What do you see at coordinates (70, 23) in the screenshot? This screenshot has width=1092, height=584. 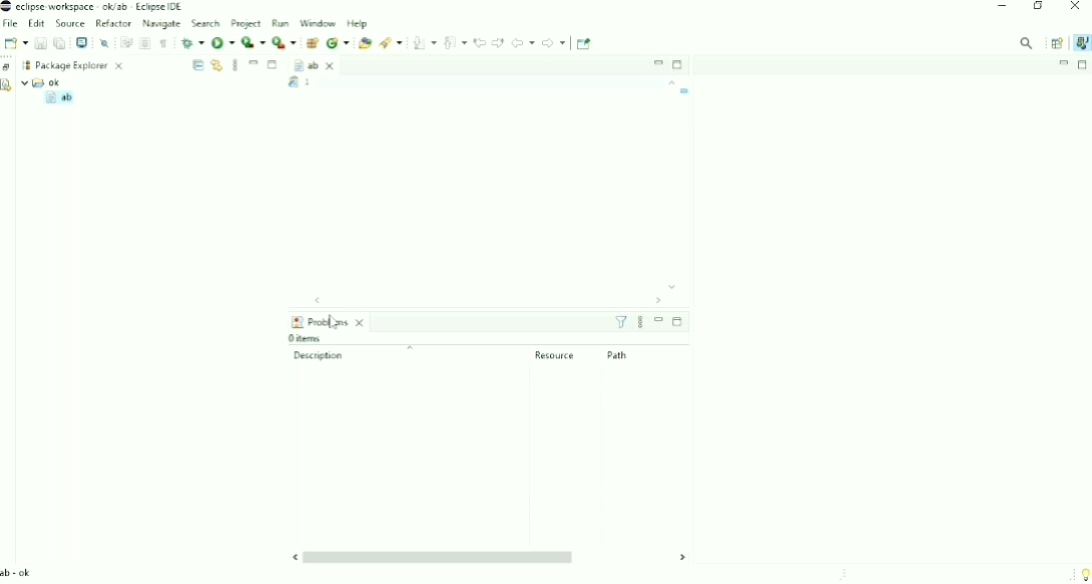 I see `Source` at bounding box center [70, 23].